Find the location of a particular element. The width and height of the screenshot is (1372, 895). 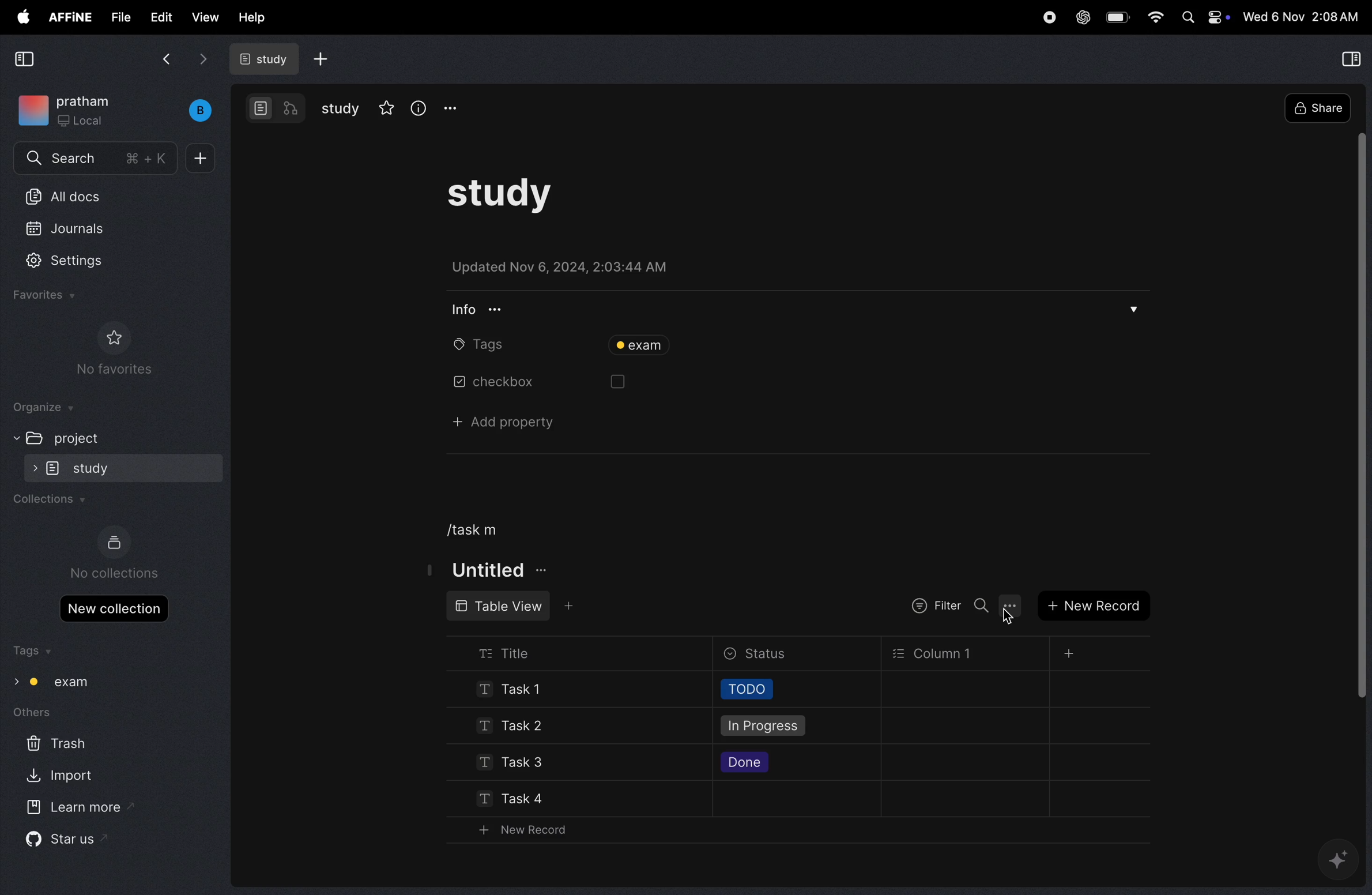

drop down is located at coordinates (1132, 306).